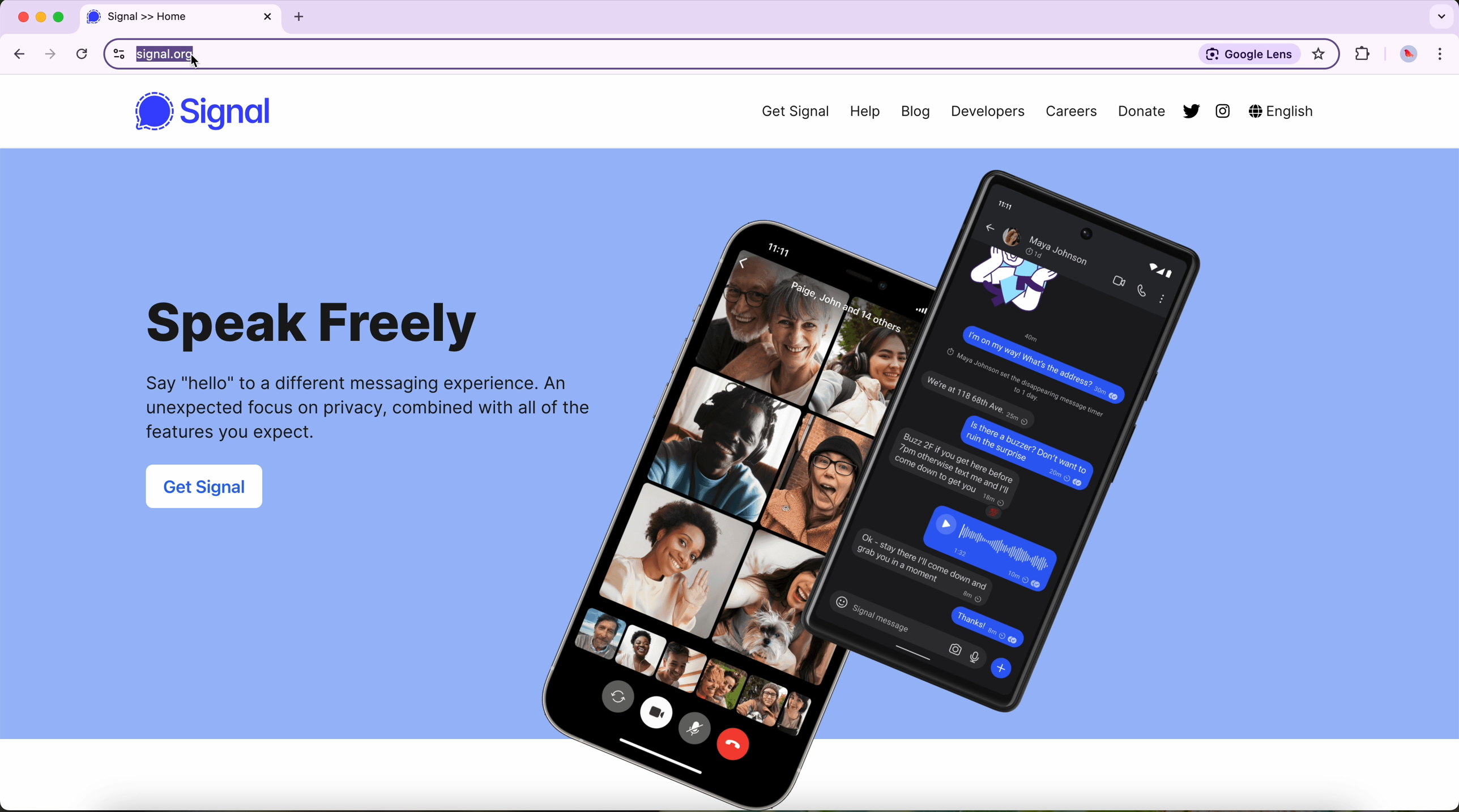 The width and height of the screenshot is (1459, 812). I want to click on signal logo, so click(152, 113).